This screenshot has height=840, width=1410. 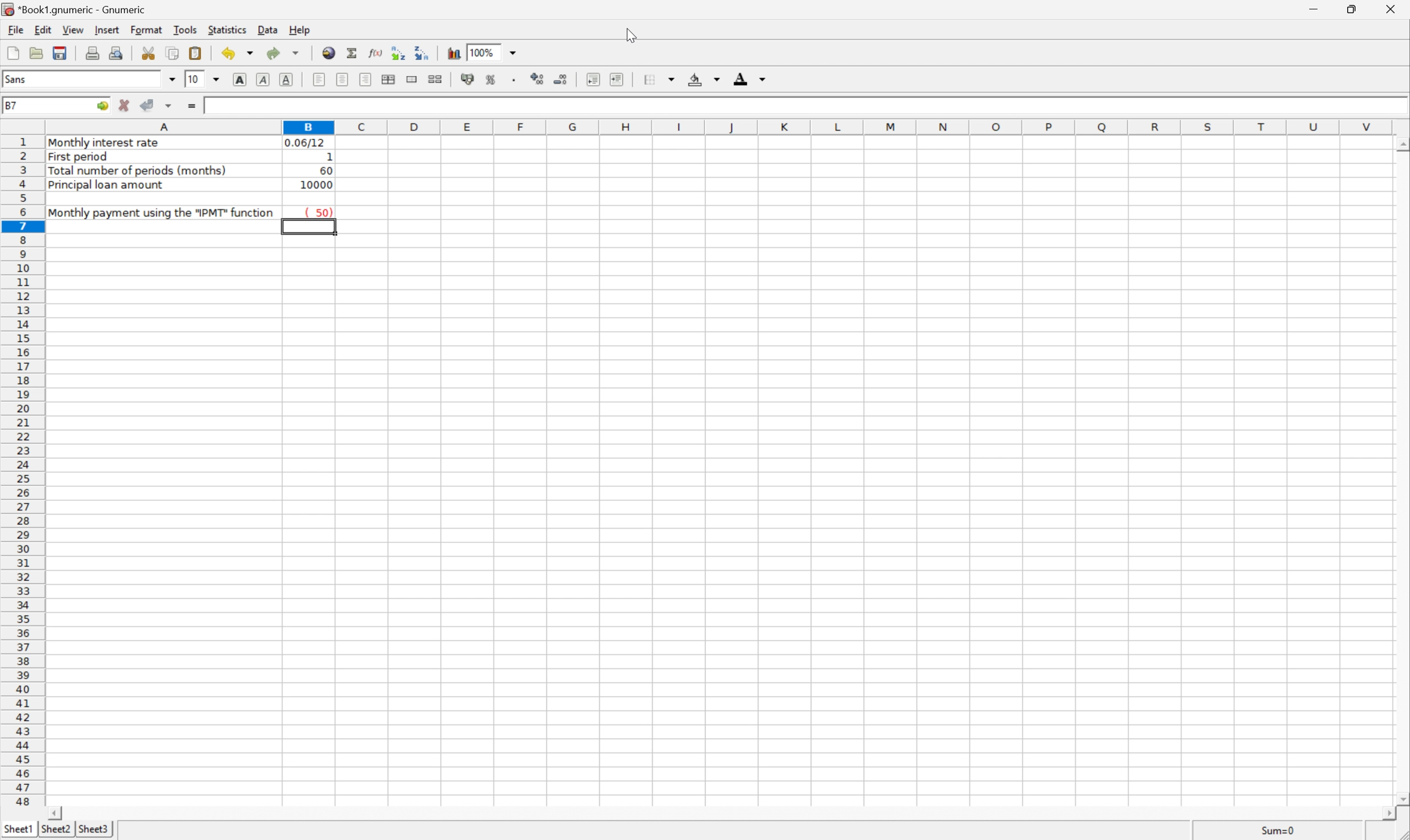 What do you see at coordinates (95, 52) in the screenshot?
I see `Print current file` at bounding box center [95, 52].